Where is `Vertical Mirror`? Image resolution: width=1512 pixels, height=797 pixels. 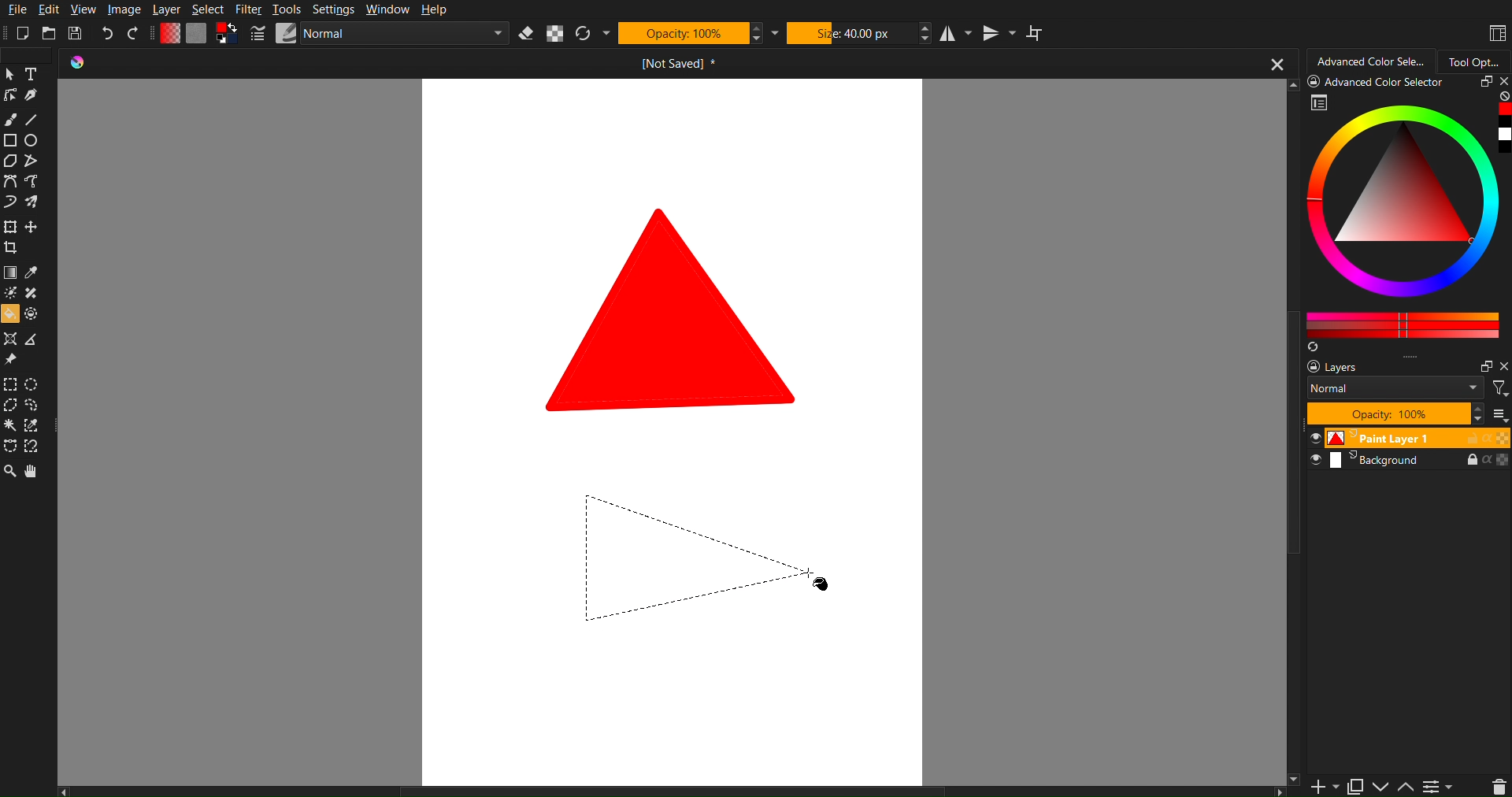 Vertical Mirror is located at coordinates (1000, 36).